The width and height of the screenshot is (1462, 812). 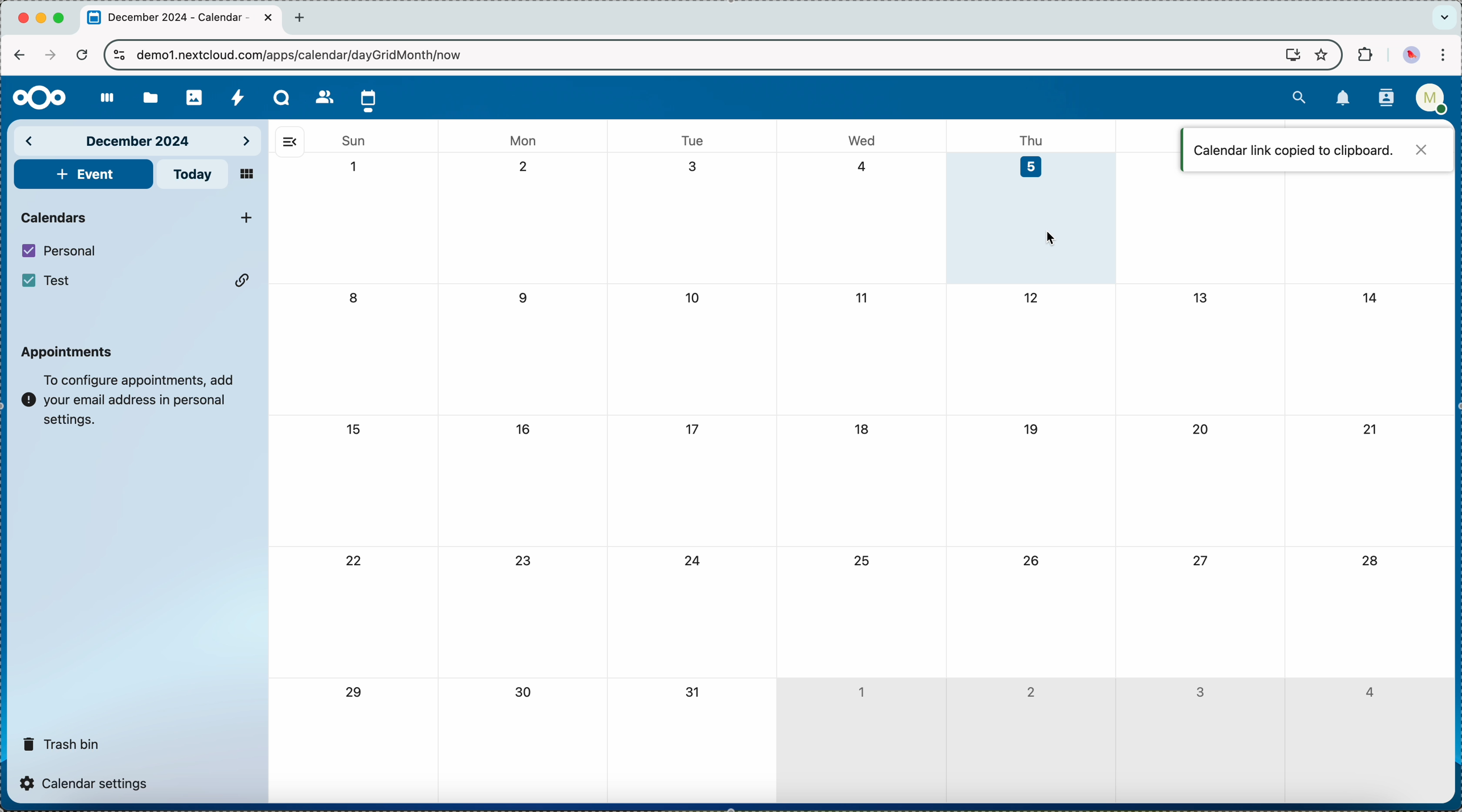 I want to click on add event, so click(x=83, y=174).